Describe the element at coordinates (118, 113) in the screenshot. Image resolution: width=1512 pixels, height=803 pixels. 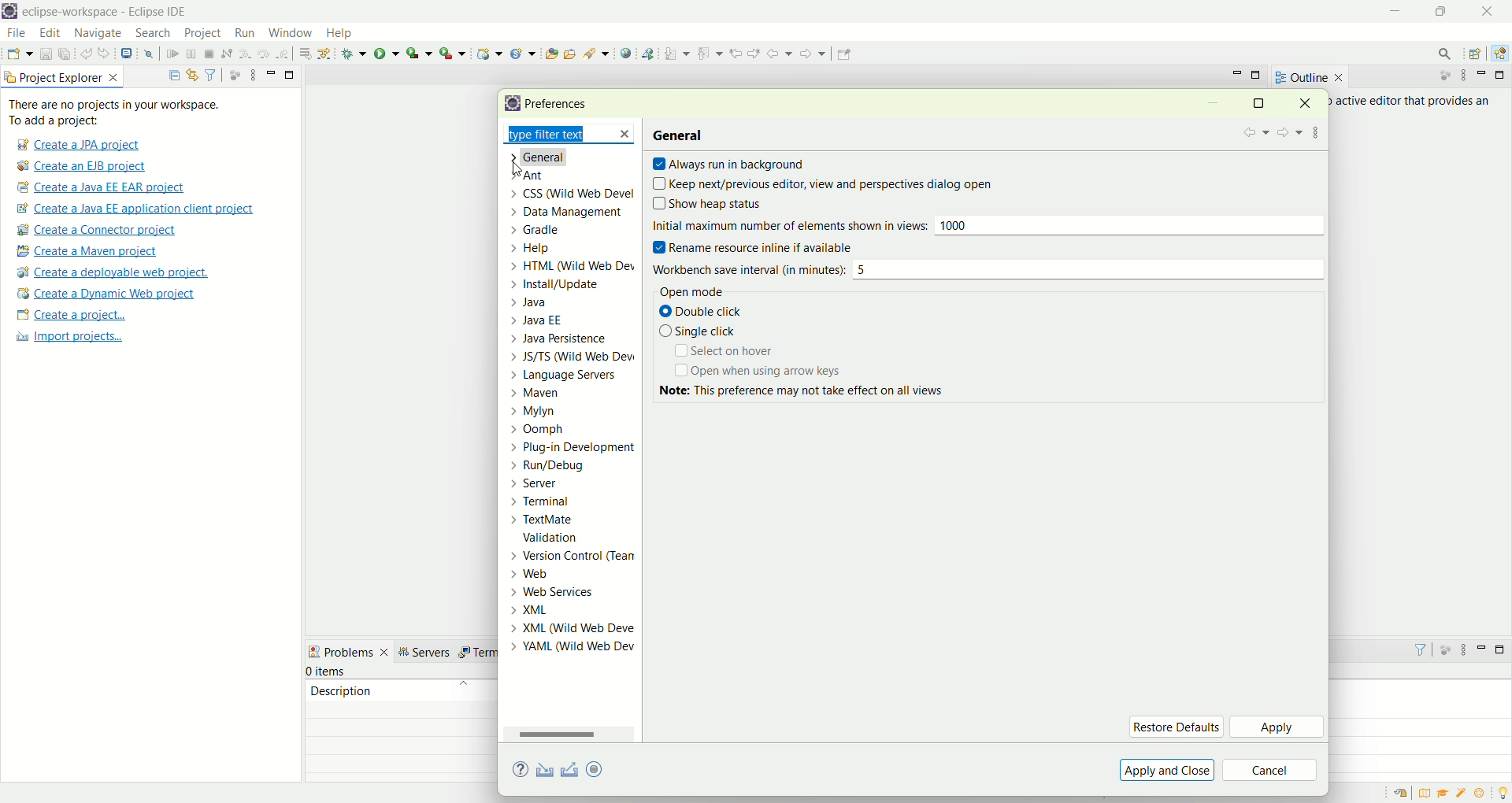
I see `There are no projects in your workspace. To add a project:` at that location.